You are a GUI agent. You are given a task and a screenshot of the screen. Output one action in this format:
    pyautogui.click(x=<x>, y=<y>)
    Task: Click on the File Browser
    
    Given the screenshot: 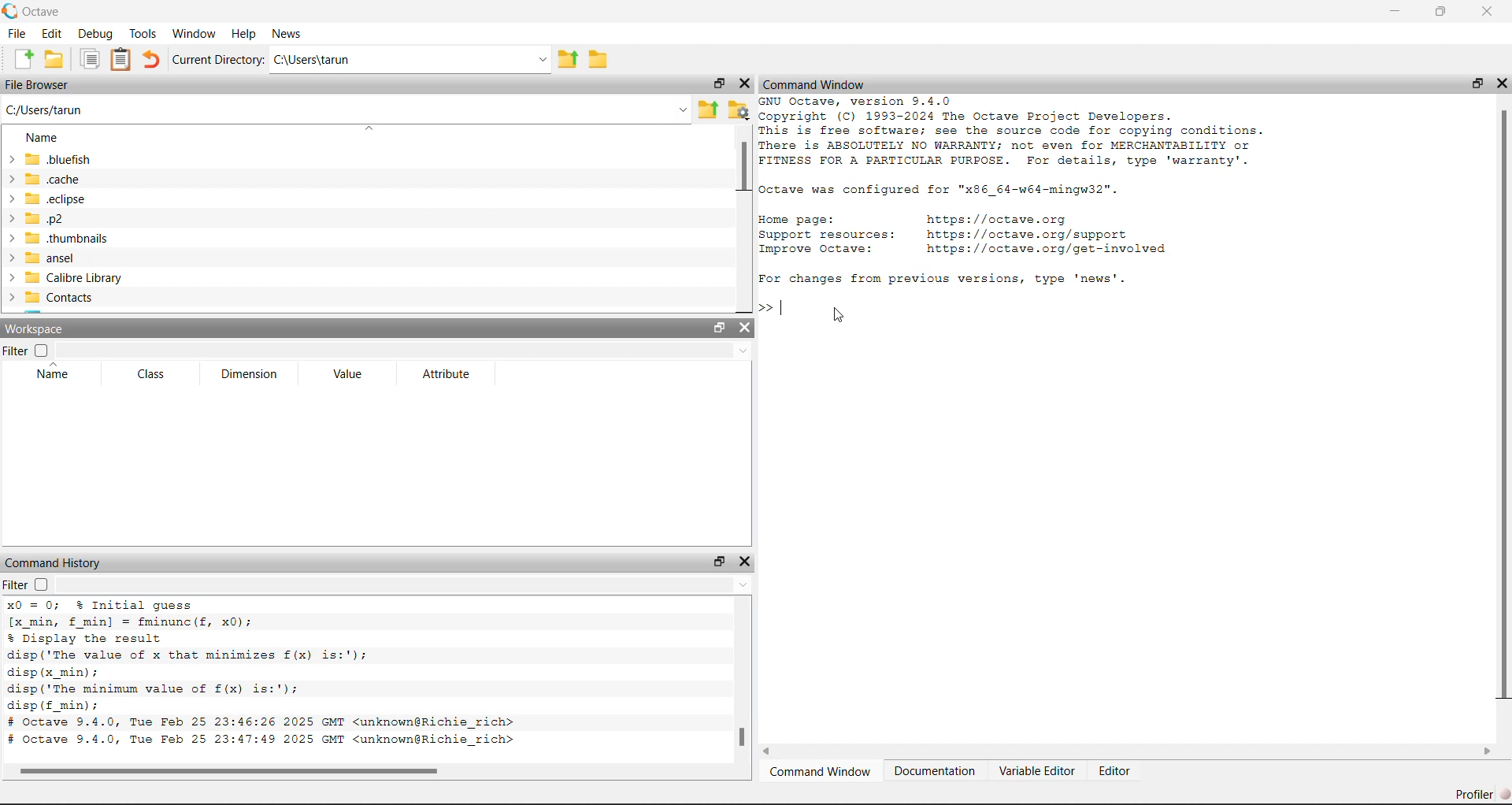 What is the action you would take?
    pyautogui.click(x=39, y=84)
    